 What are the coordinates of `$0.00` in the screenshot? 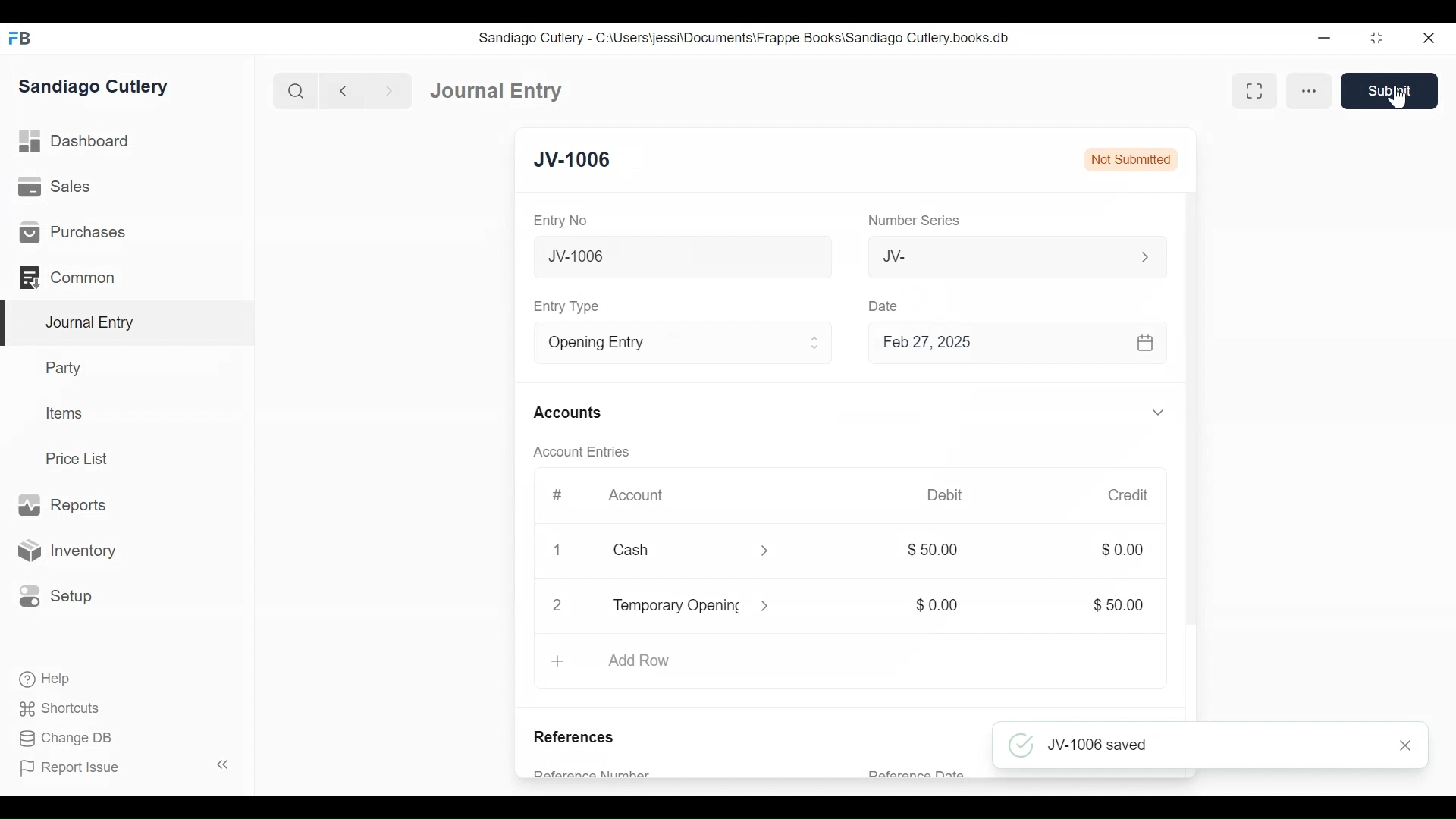 It's located at (940, 606).